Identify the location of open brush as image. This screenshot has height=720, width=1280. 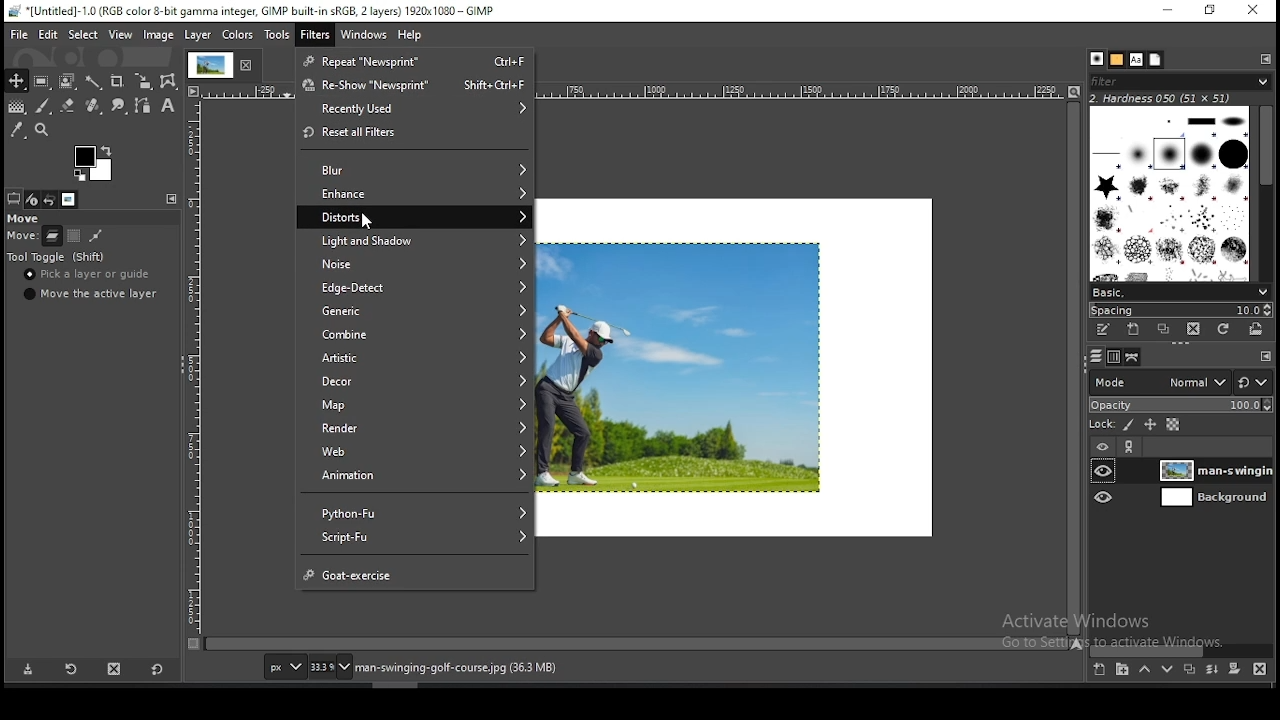
(1260, 332).